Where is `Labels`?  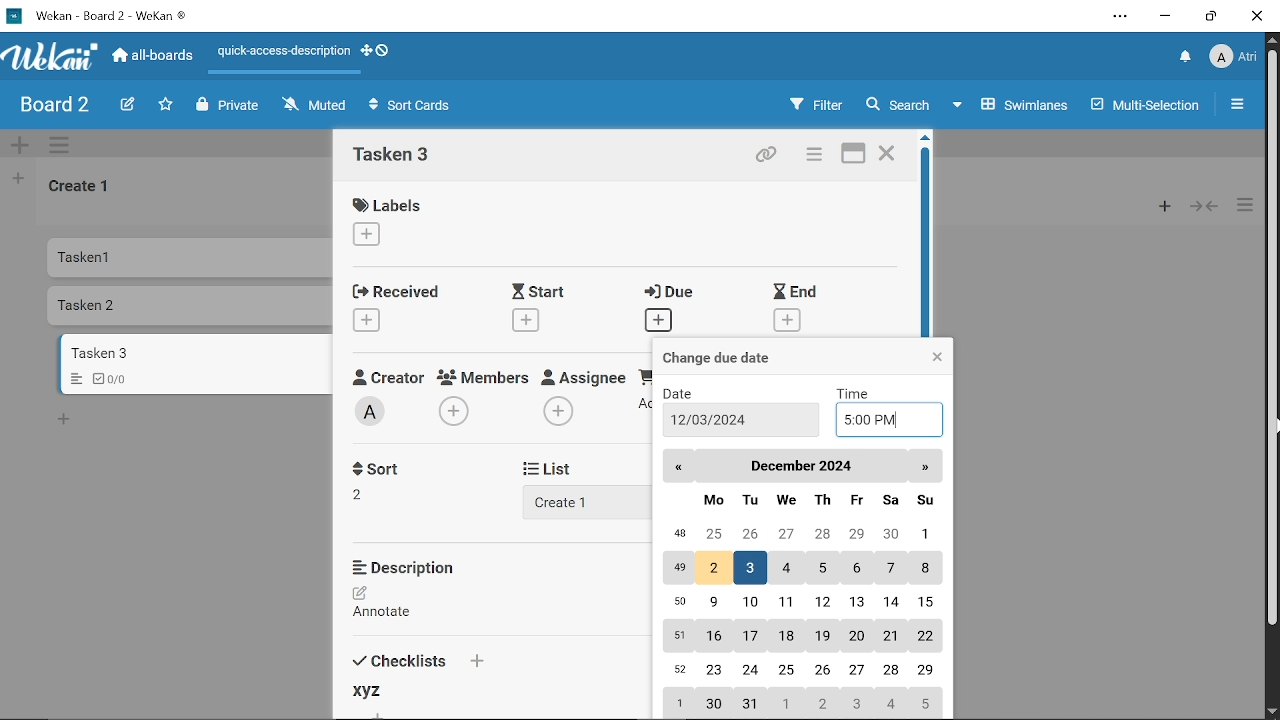 Labels is located at coordinates (392, 204).